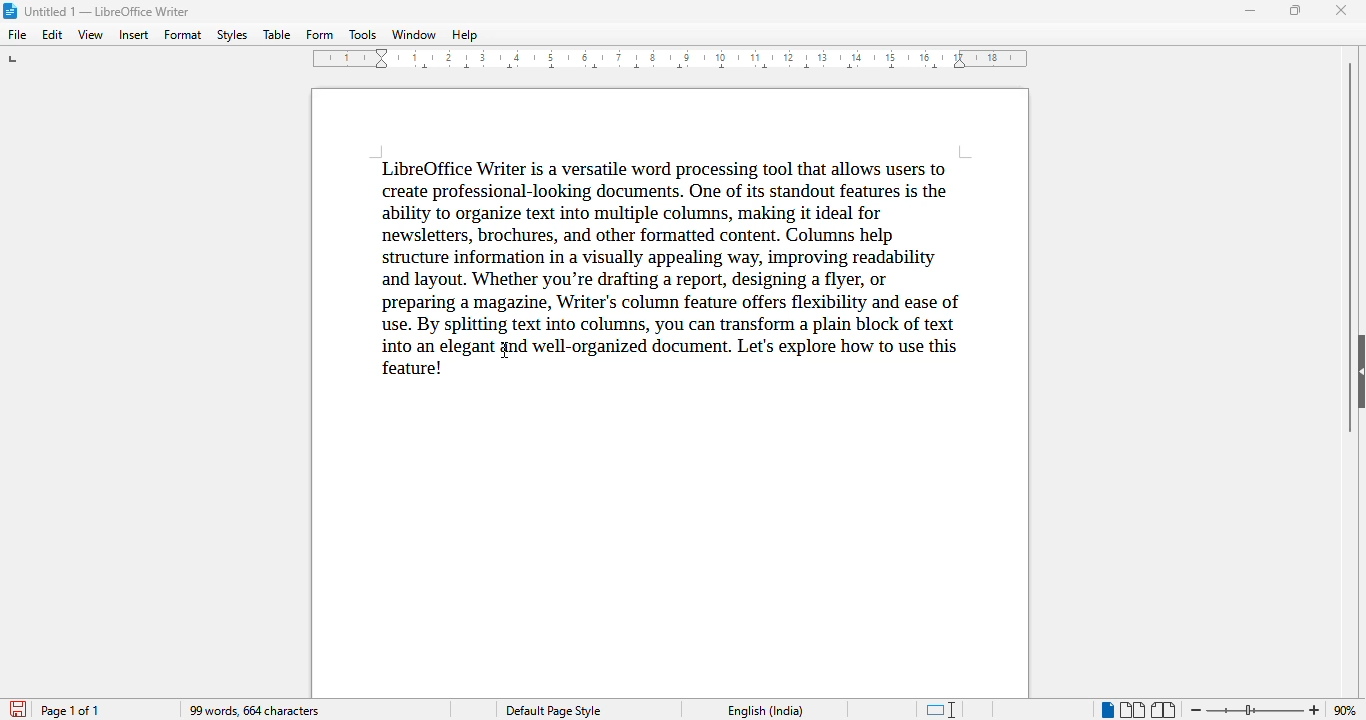 This screenshot has width=1366, height=720. Describe the element at coordinates (1315, 710) in the screenshot. I see `zoom in` at that location.